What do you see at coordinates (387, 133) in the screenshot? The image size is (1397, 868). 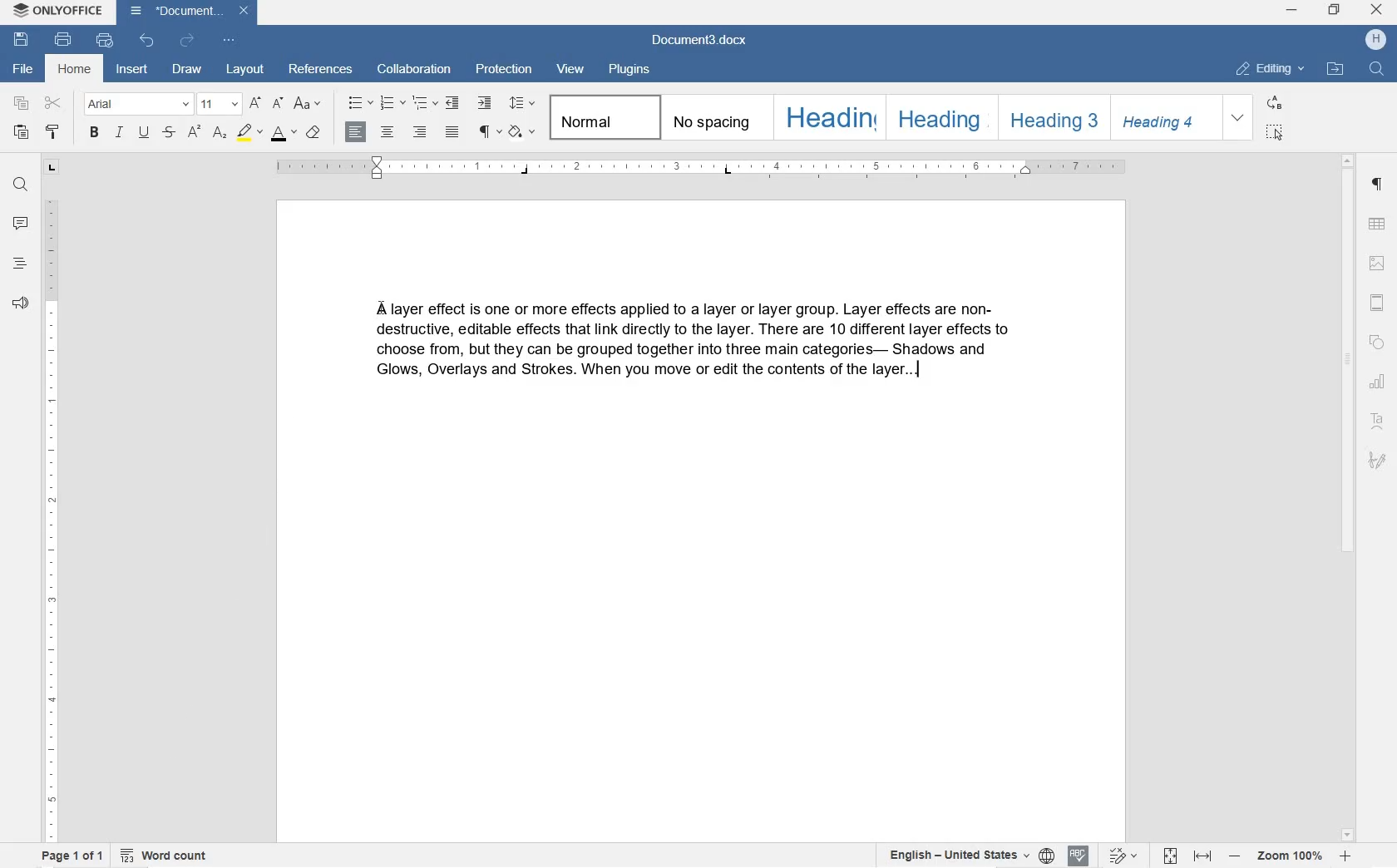 I see `CENTER ALIGNMENT` at bounding box center [387, 133].